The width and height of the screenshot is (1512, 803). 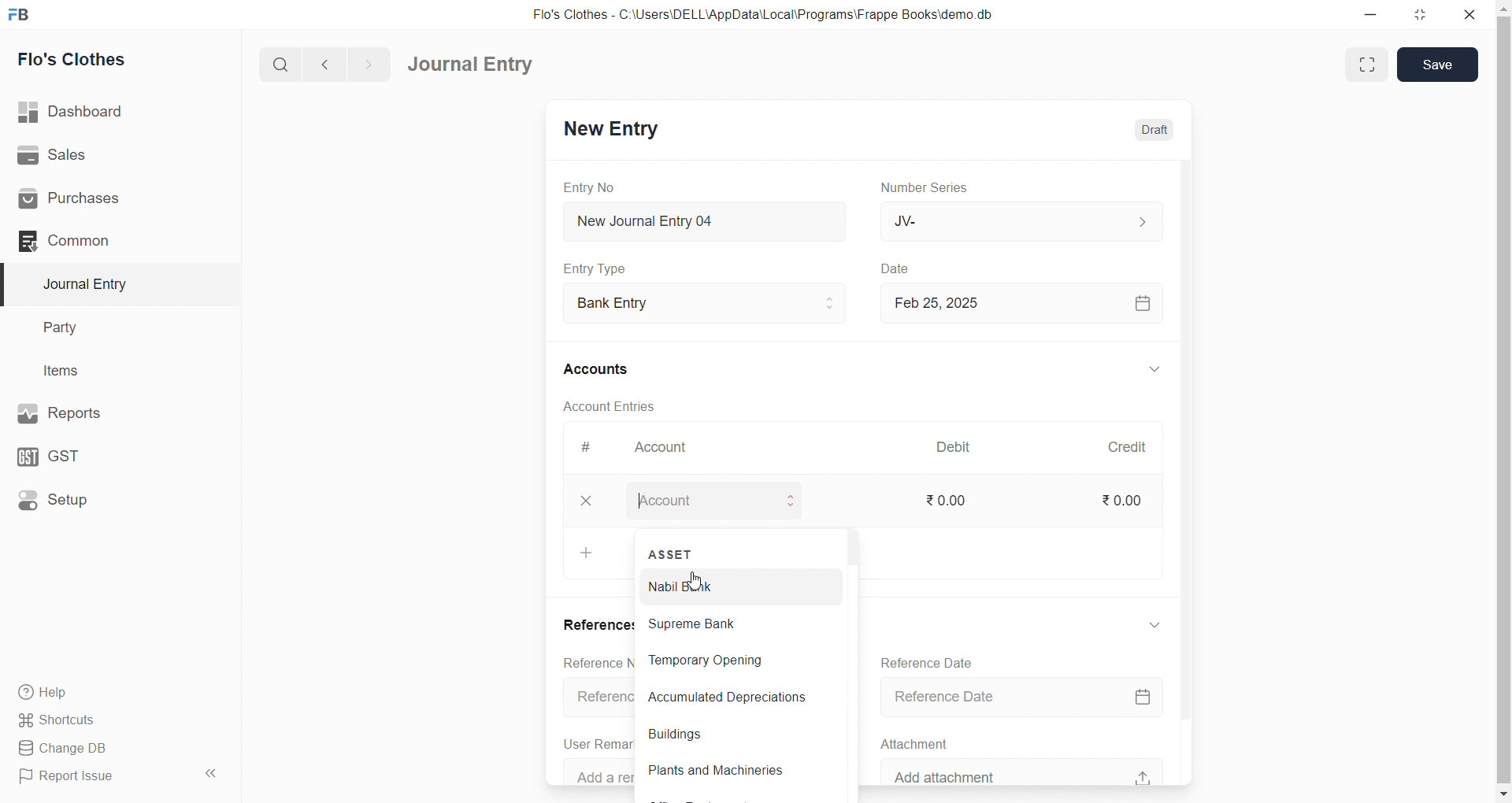 What do you see at coordinates (669, 553) in the screenshot?
I see `ASSET` at bounding box center [669, 553].